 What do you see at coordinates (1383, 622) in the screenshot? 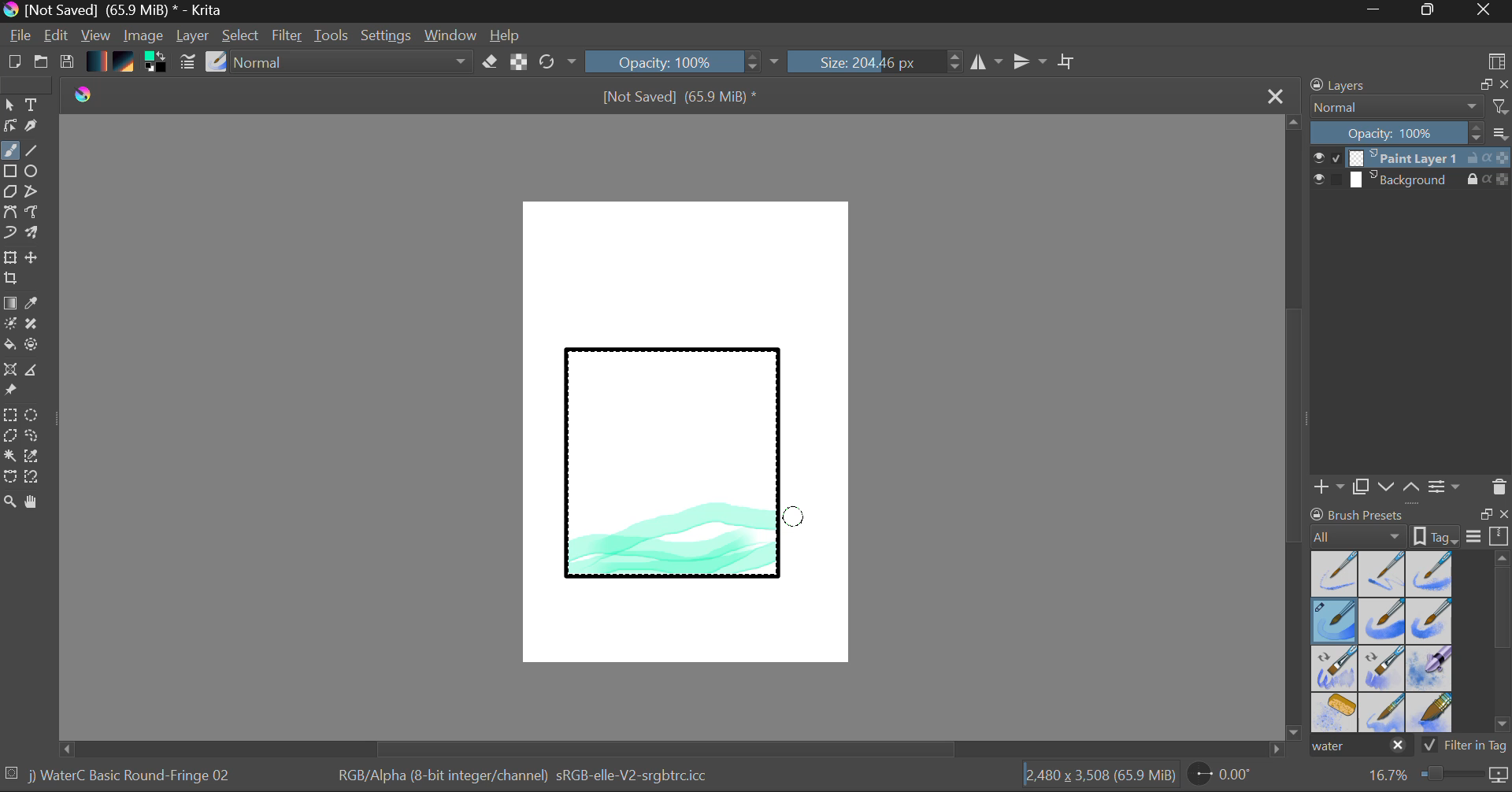
I see `Water C - Grain` at bounding box center [1383, 622].